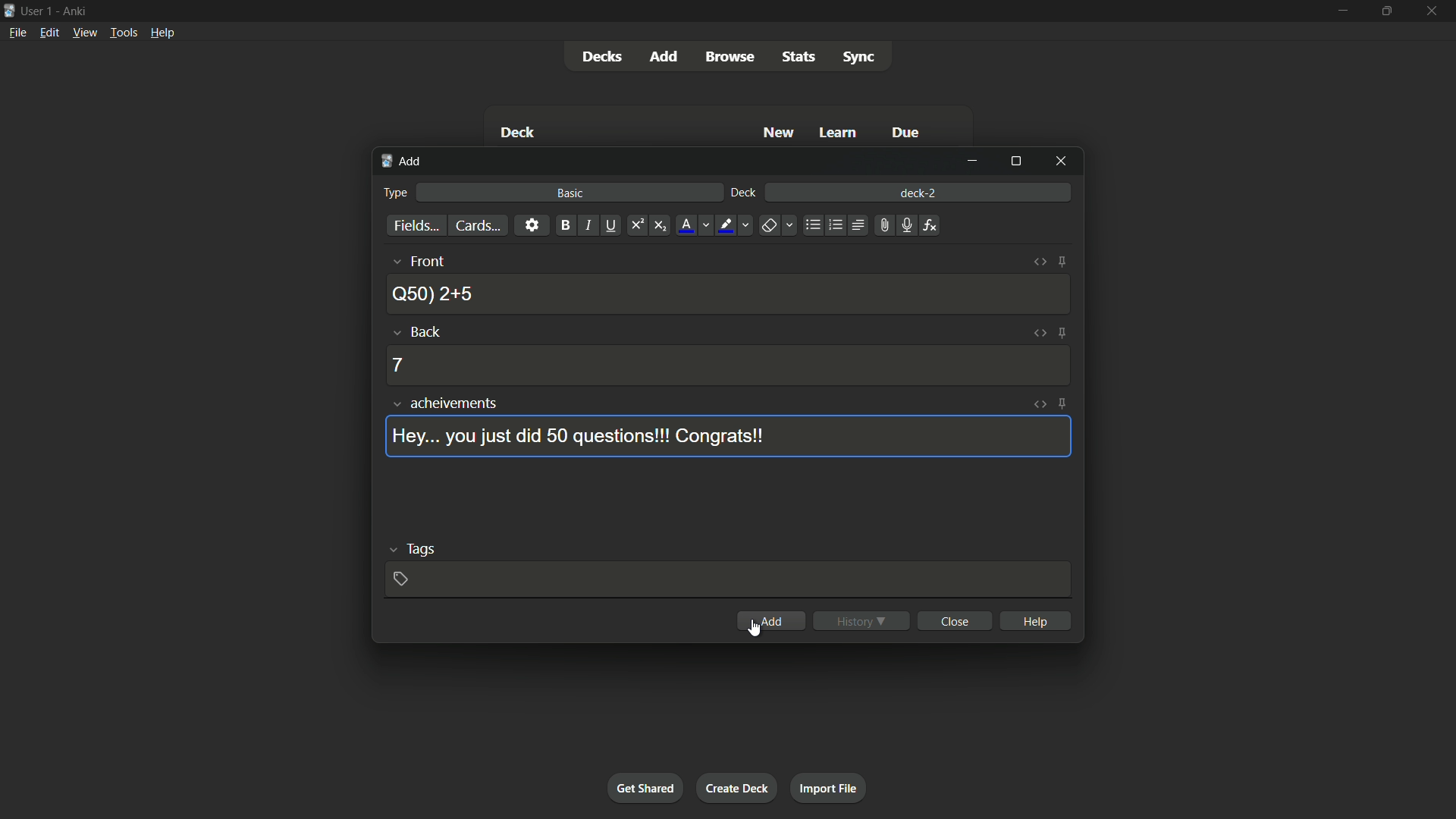 Image resolution: width=1456 pixels, height=819 pixels. I want to click on text highlight, so click(736, 226).